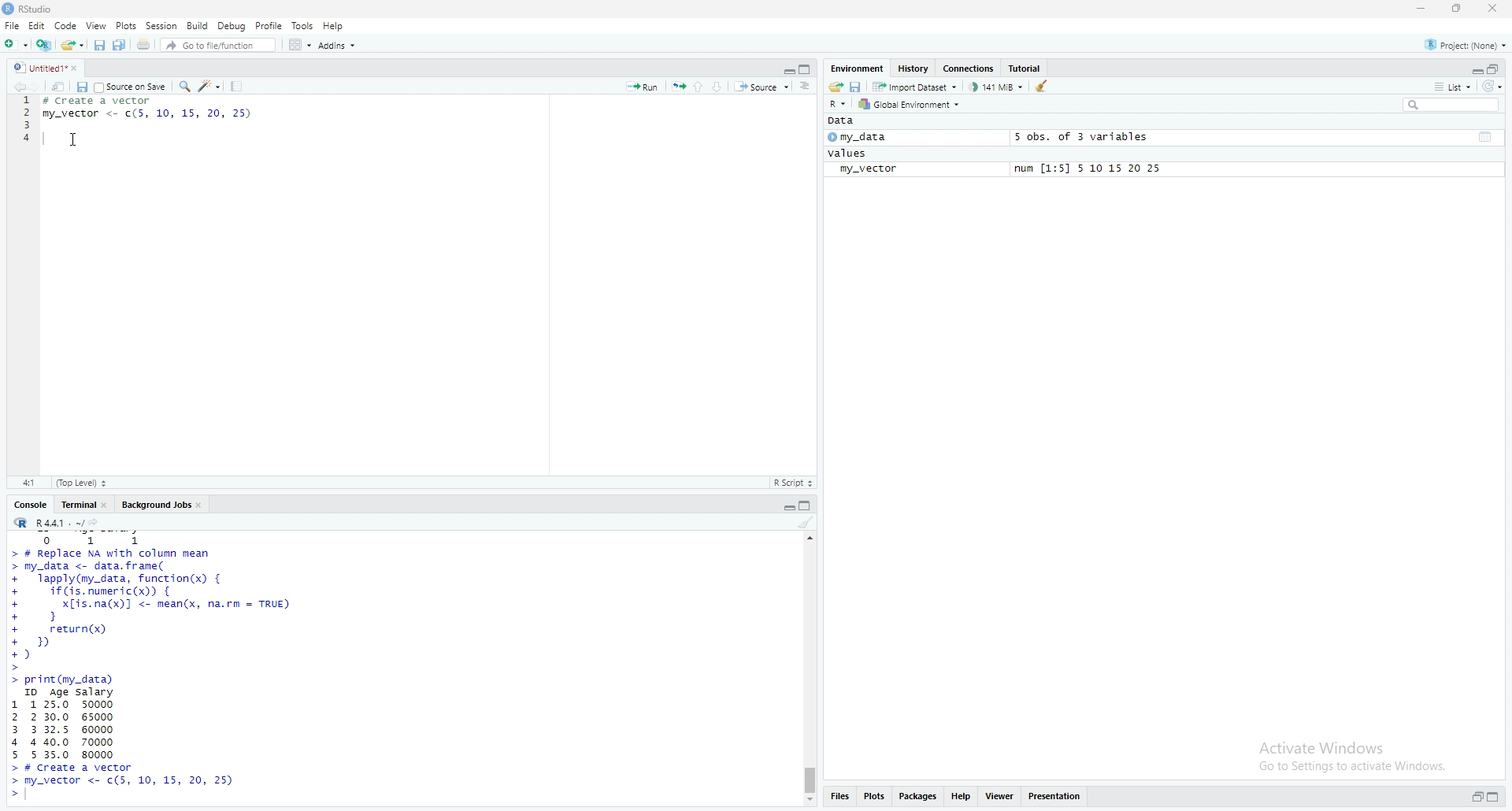 The image size is (1512, 811). What do you see at coordinates (810, 505) in the screenshot?
I see `collapse` at bounding box center [810, 505].